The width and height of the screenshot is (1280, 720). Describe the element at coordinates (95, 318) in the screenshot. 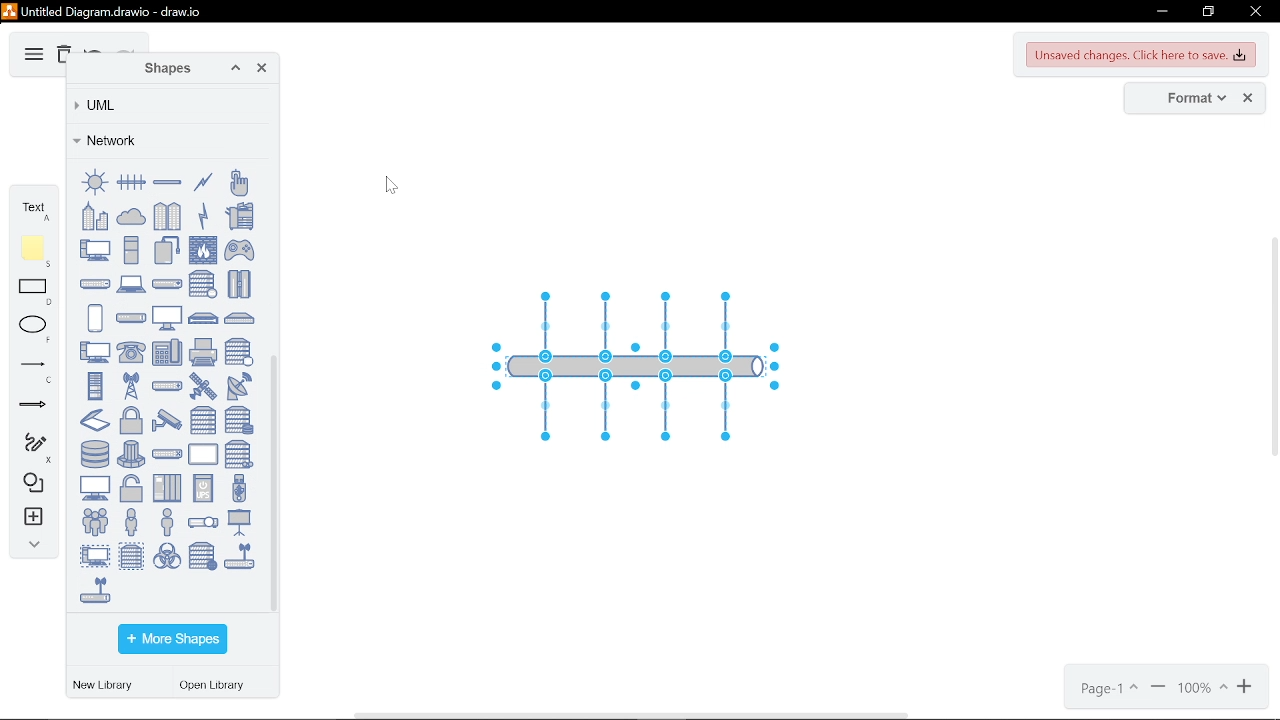

I see `mobile` at that location.